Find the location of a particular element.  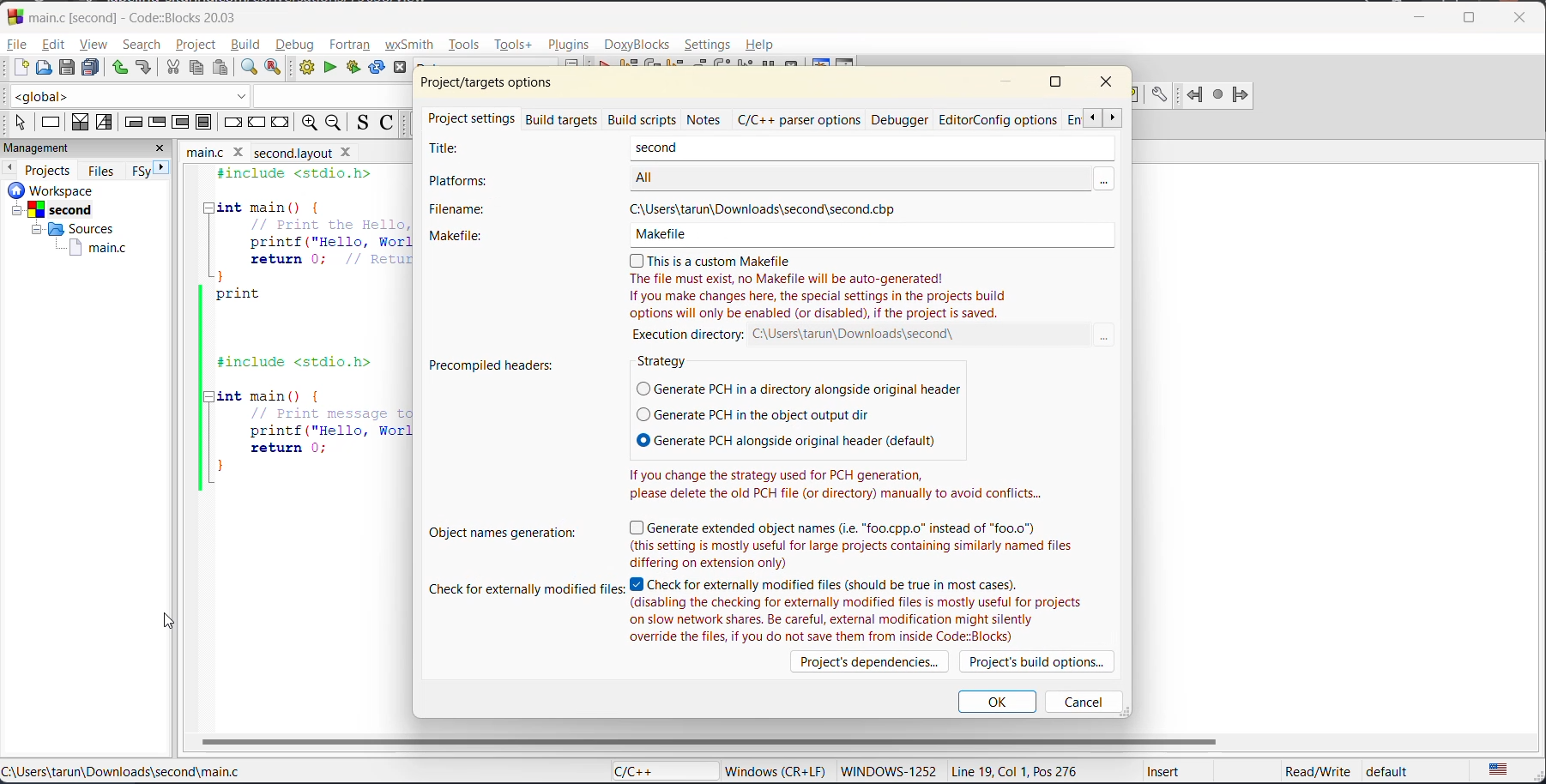

maximize is located at coordinates (1059, 87).